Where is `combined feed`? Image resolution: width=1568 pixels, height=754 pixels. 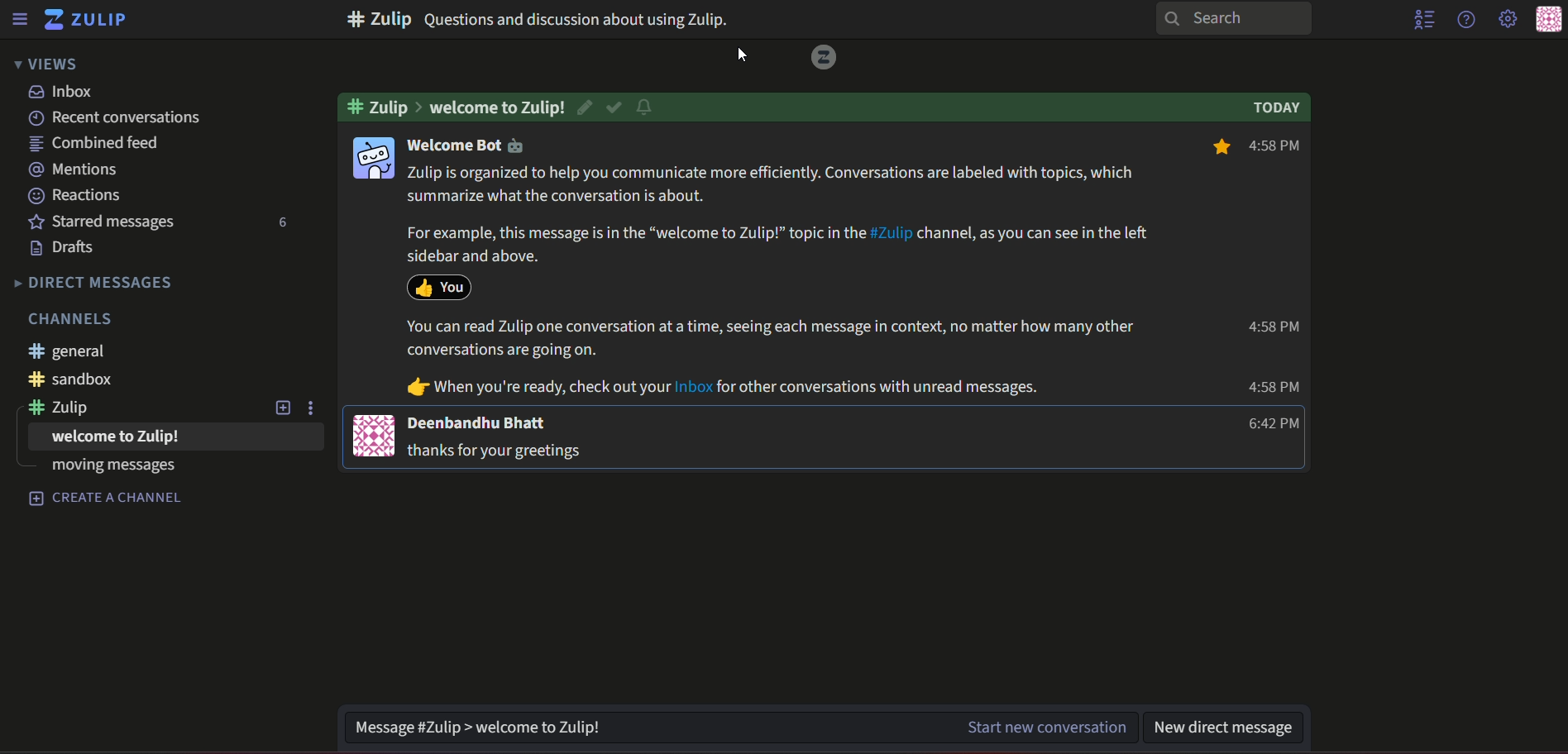
combined feed is located at coordinates (95, 143).